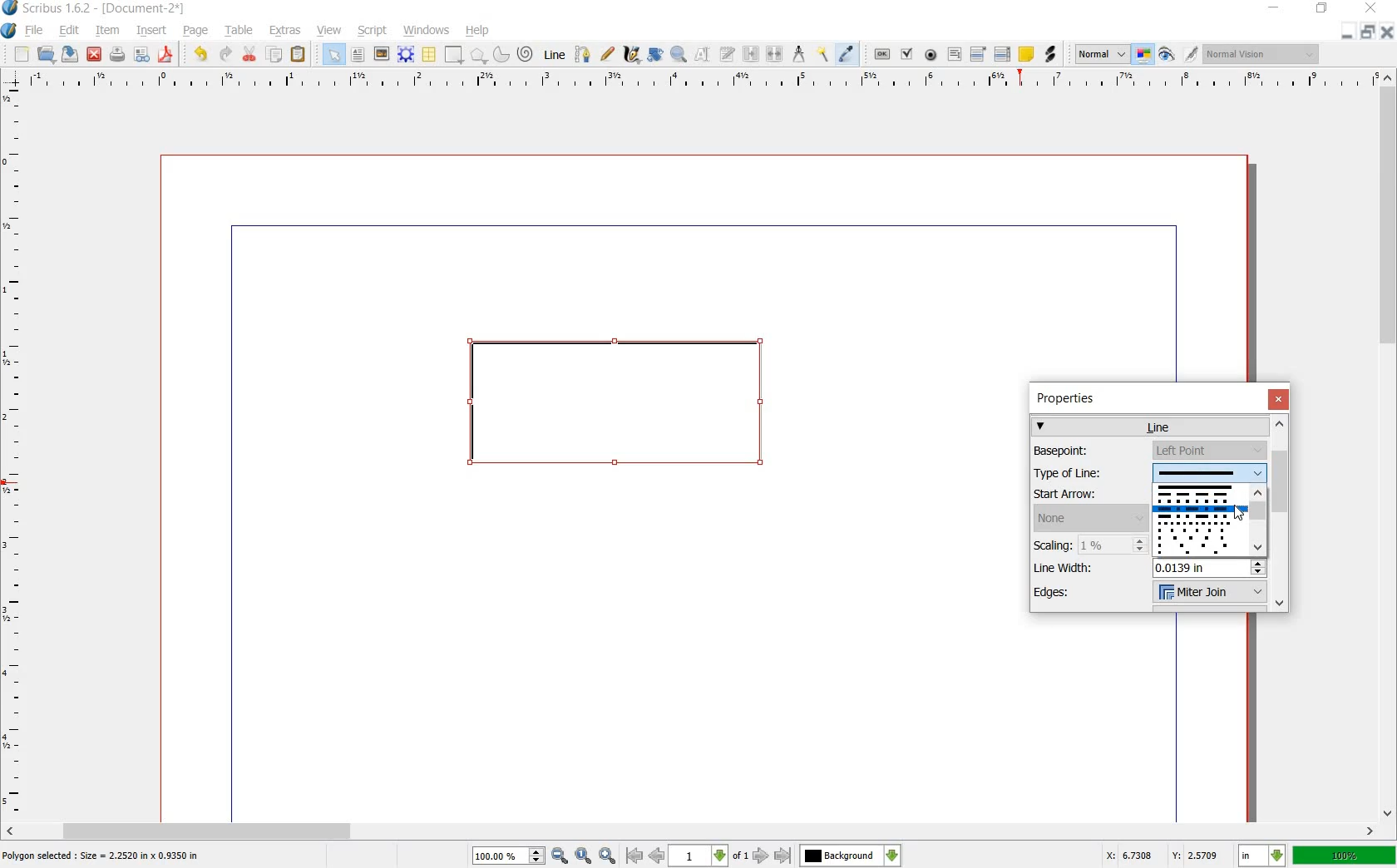 The image size is (1397, 868). Describe the element at coordinates (250, 54) in the screenshot. I see `CUT` at that location.